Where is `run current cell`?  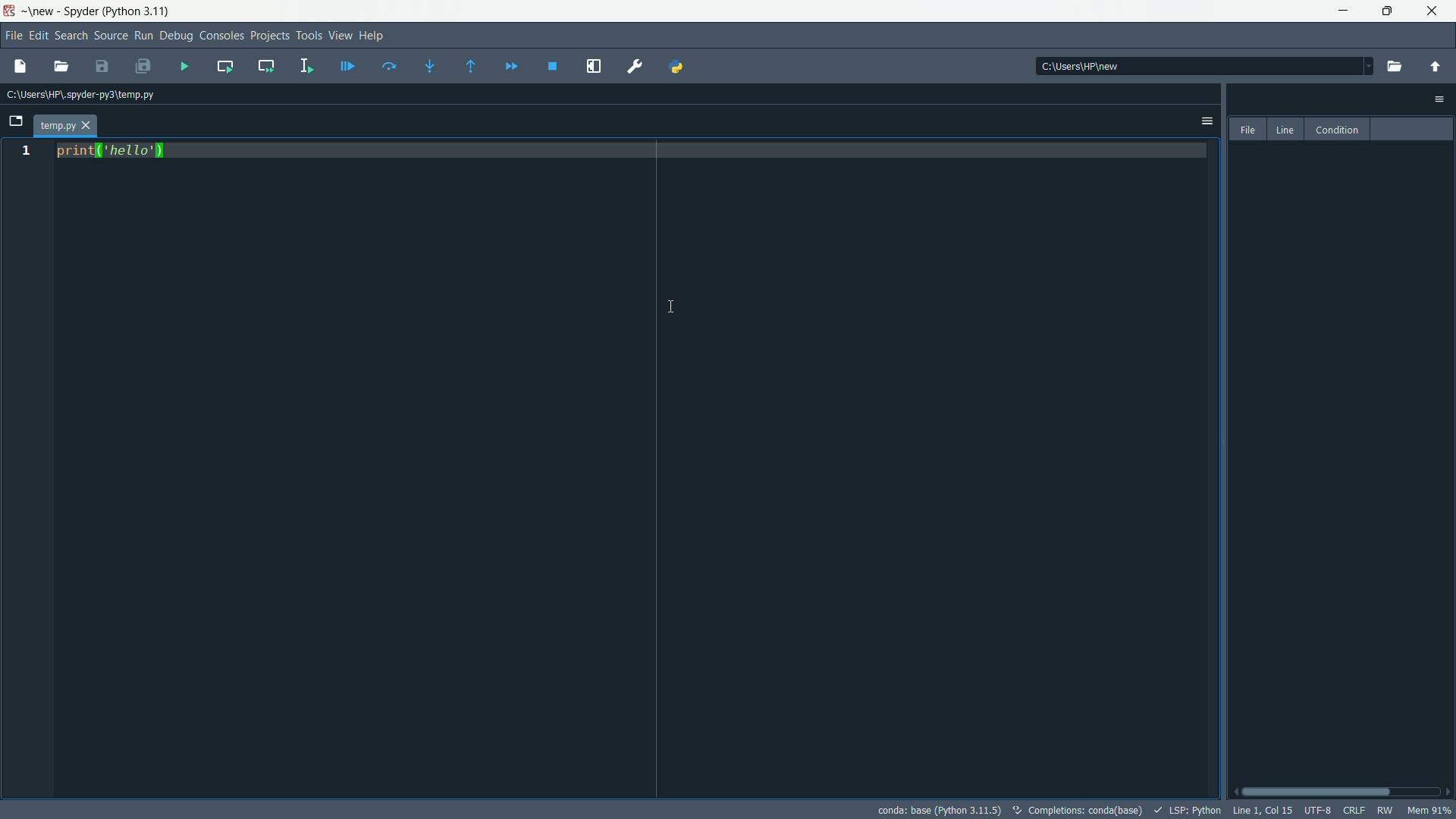
run current cell is located at coordinates (224, 65).